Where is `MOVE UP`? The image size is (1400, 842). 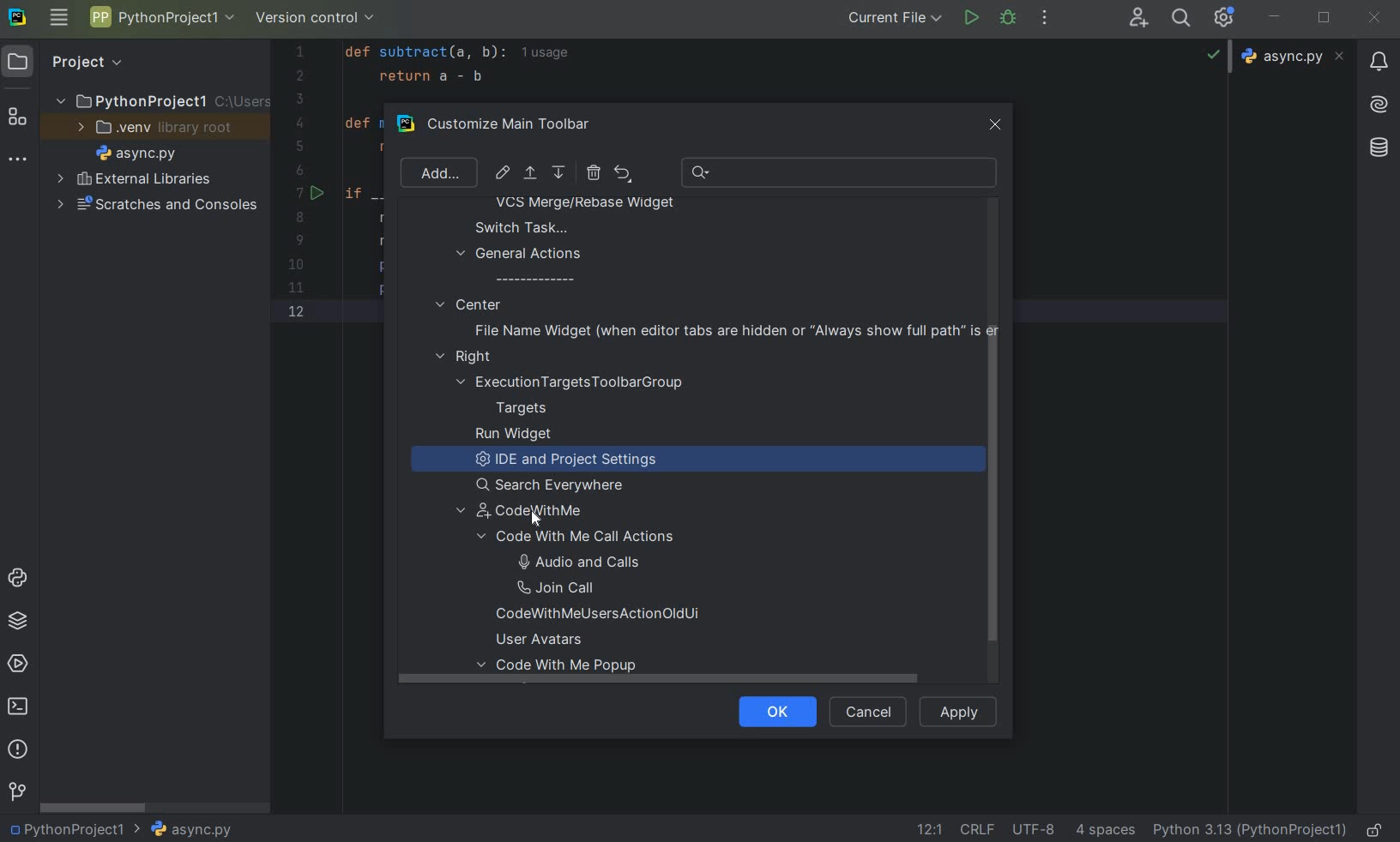 MOVE UP is located at coordinates (529, 173).